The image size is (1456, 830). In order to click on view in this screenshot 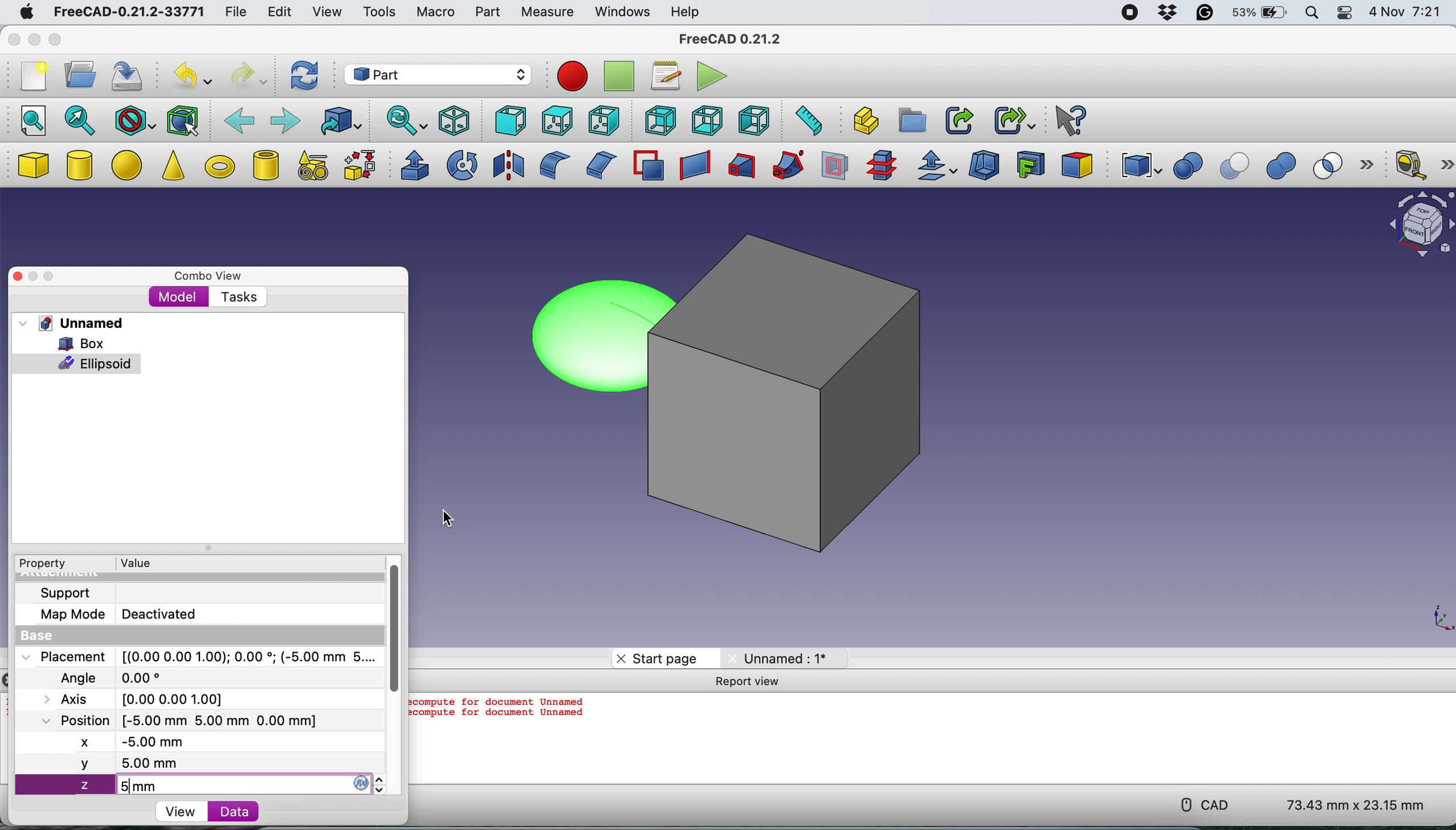, I will do `click(184, 811)`.